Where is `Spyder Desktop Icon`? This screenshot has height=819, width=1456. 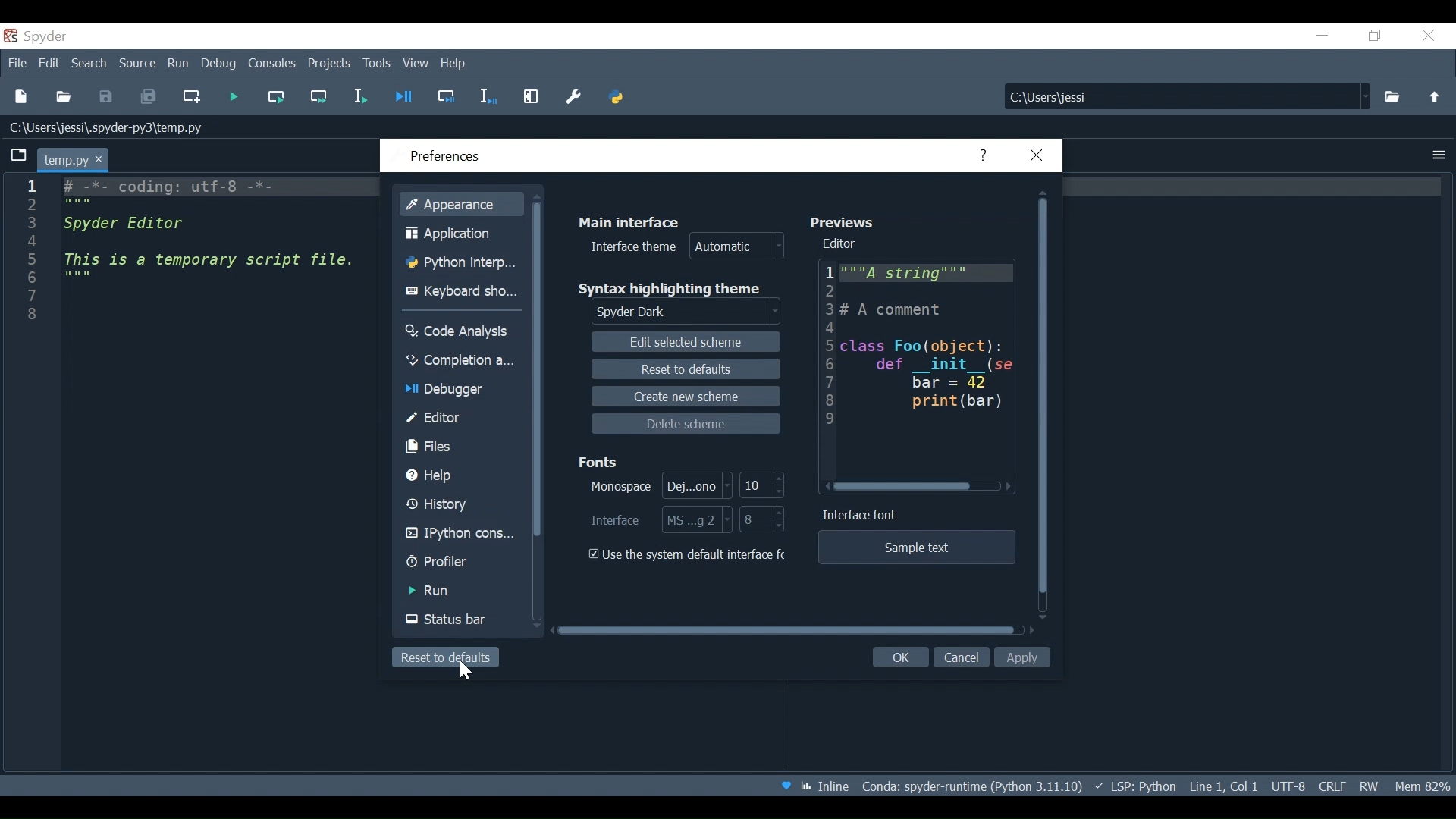 Spyder Desktop Icon is located at coordinates (36, 37).